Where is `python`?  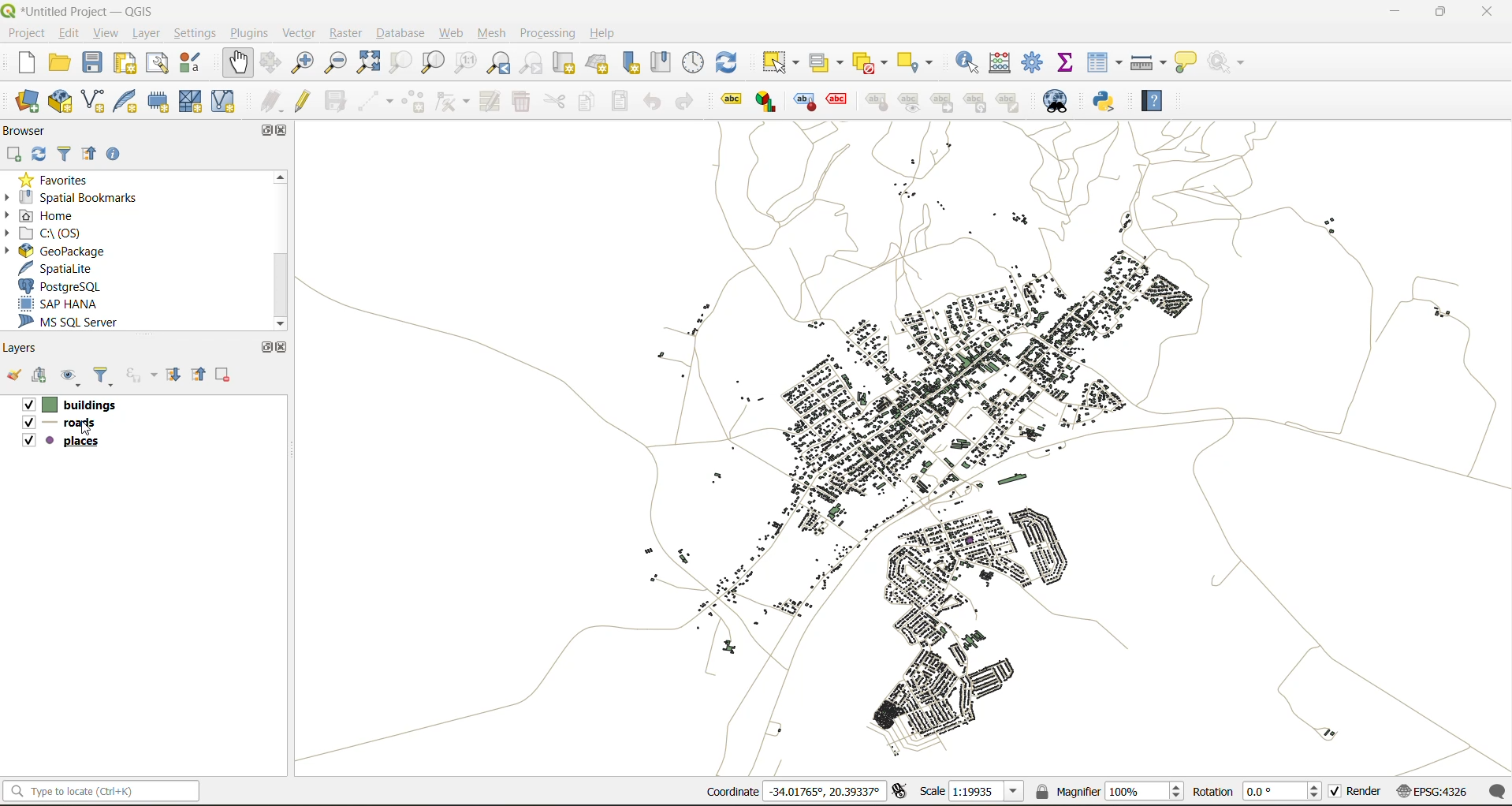
python is located at coordinates (1108, 101).